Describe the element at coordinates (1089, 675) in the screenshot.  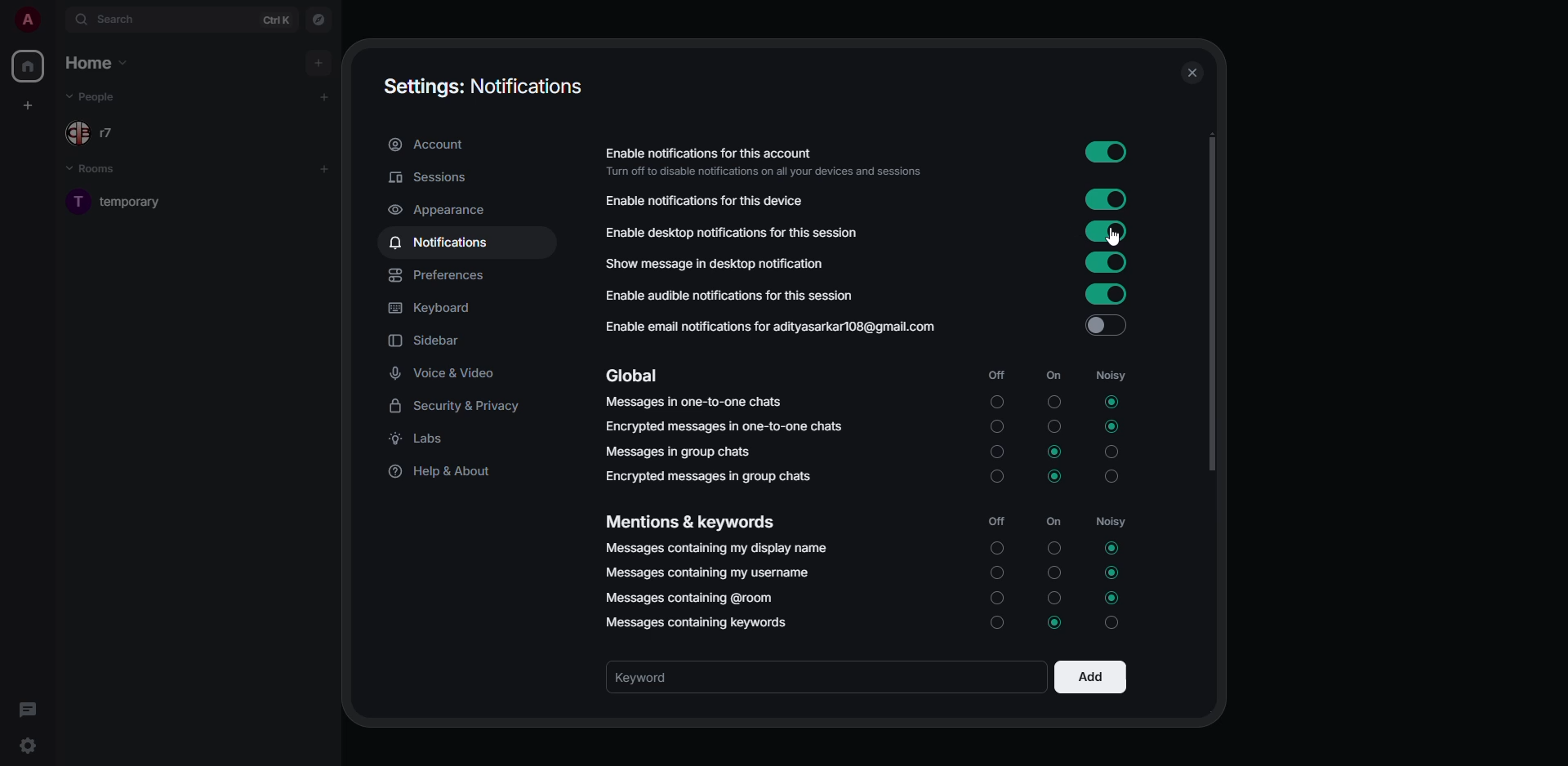
I see `add` at that location.